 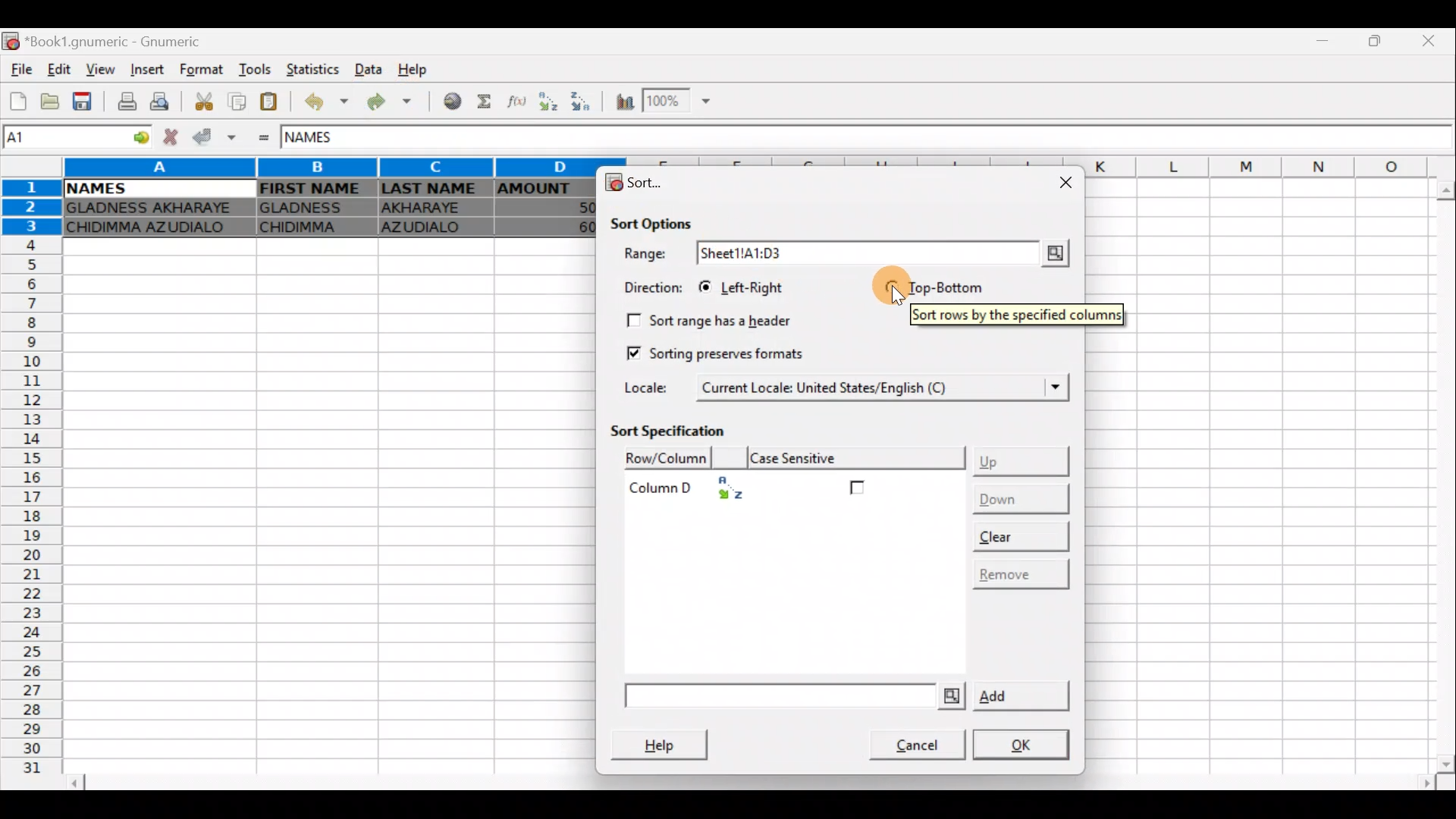 What do you see at coordinates (682, 430) in the screenshot?
I see `Sort specification` at bounding box center [682, 430].